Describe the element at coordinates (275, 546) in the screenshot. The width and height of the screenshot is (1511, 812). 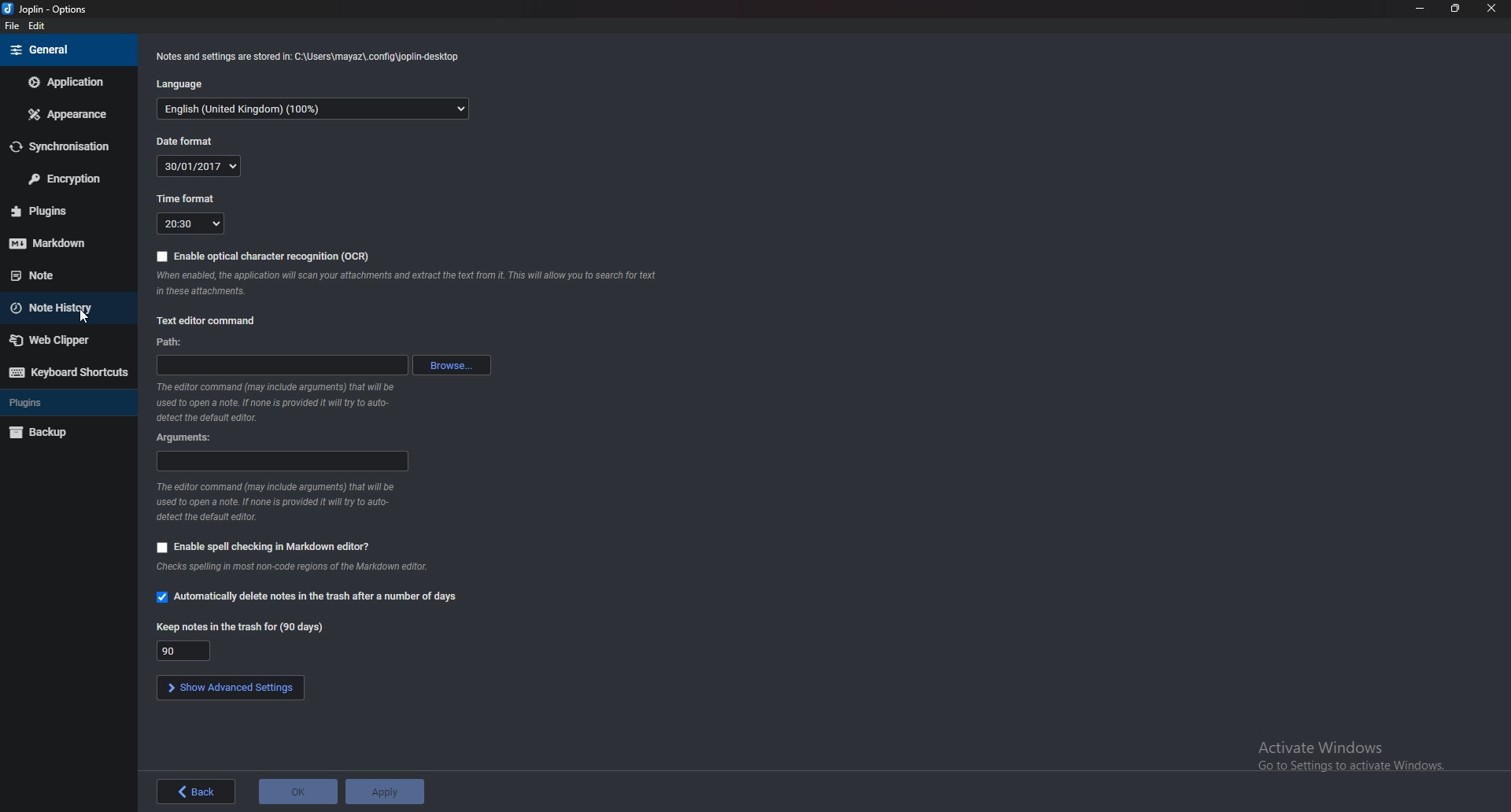
I see `enable spell checking` at that location.